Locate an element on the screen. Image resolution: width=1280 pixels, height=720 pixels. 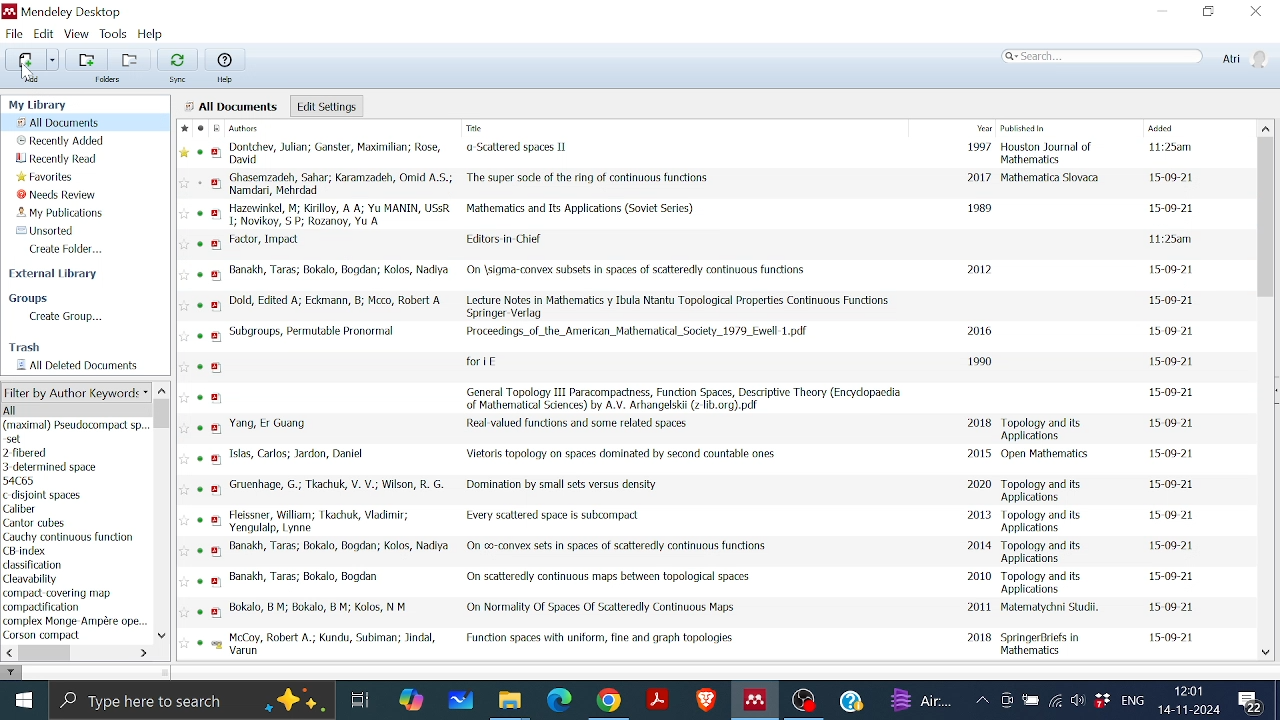
date is located at coordinates (1172, 392).